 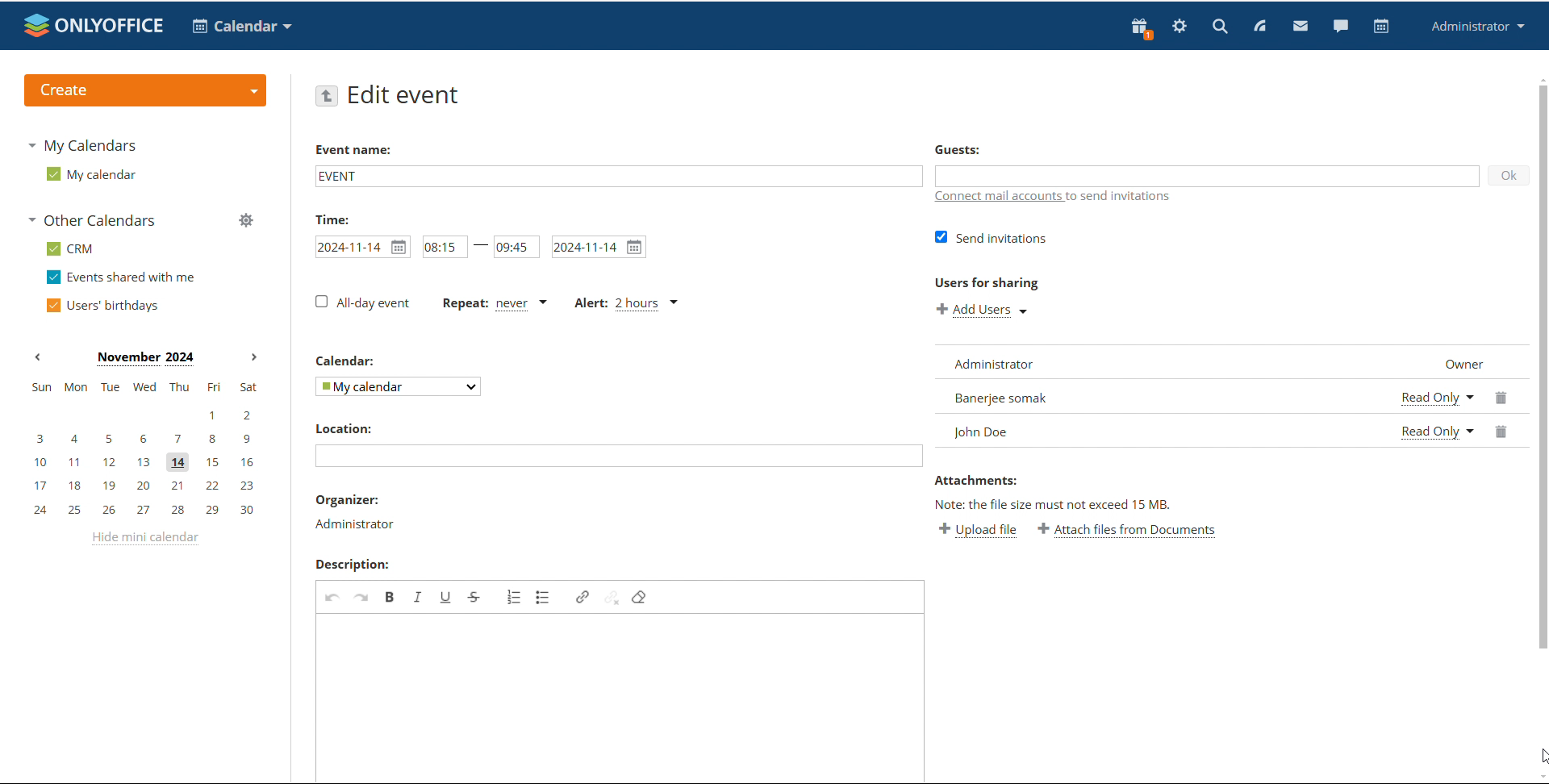 I want to click on previous month, so click(x=37, y=357).